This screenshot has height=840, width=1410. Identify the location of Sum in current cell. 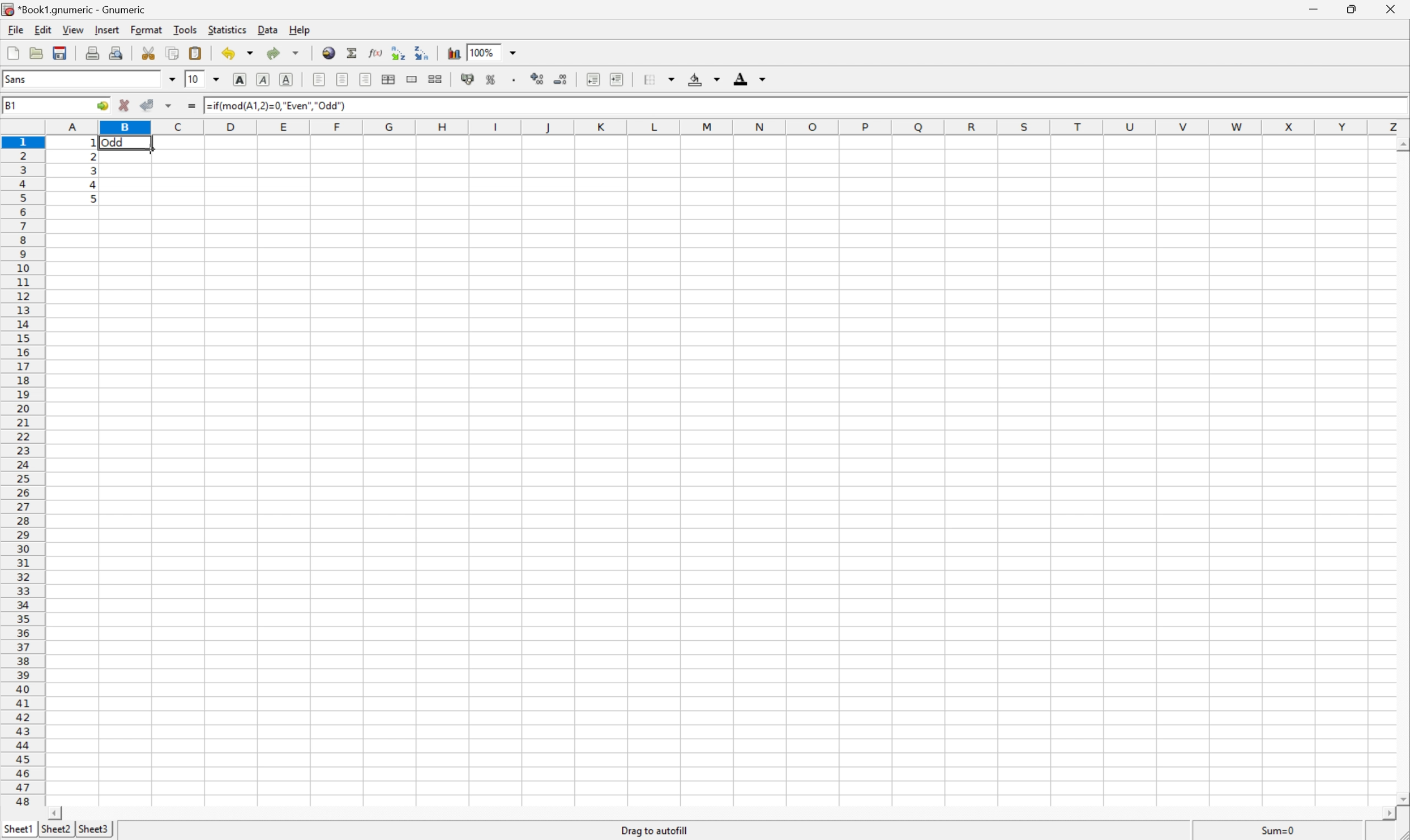
(353, 54).